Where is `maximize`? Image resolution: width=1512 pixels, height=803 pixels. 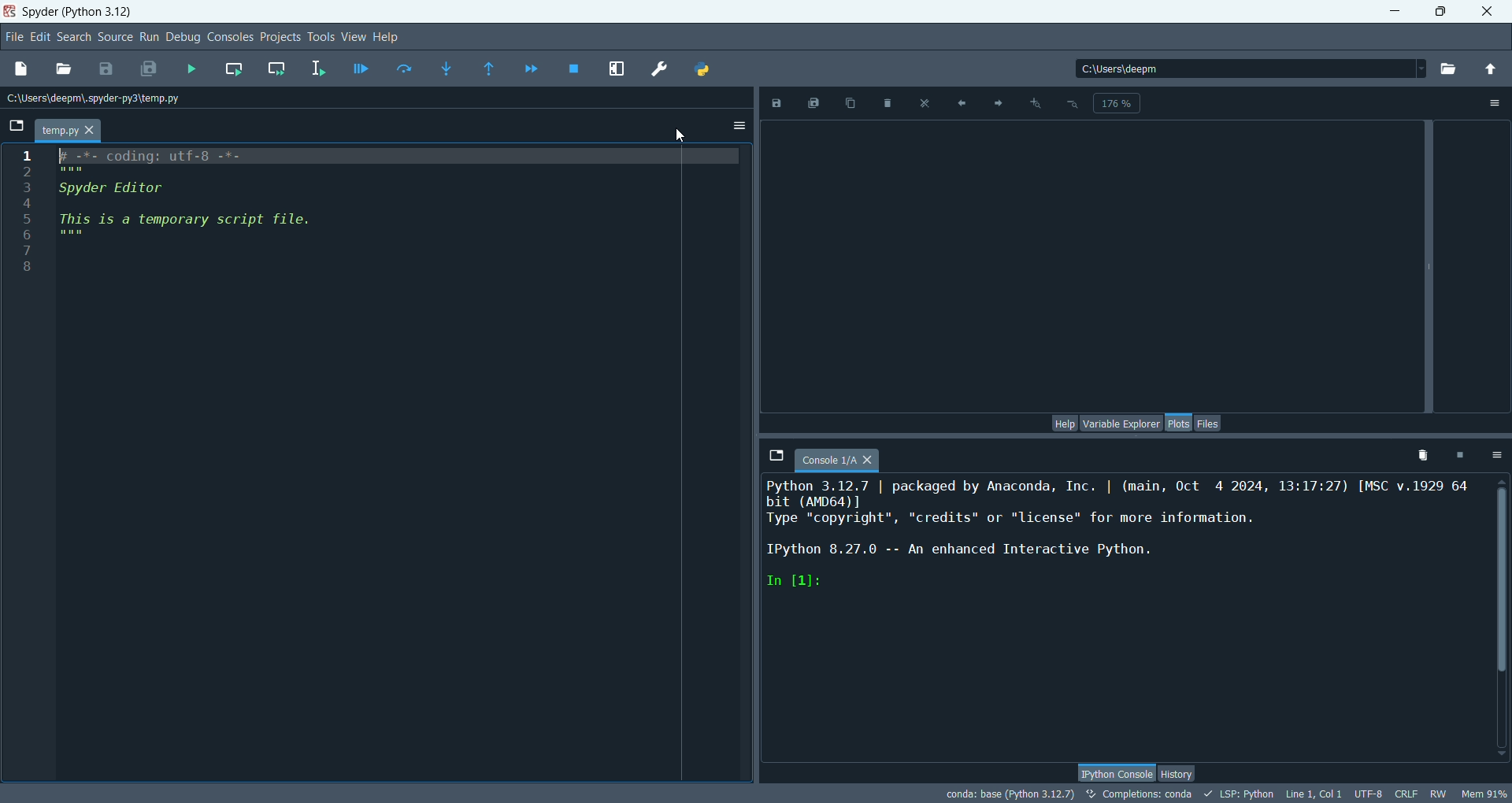
maximize is located at coordinates (1442, 10).